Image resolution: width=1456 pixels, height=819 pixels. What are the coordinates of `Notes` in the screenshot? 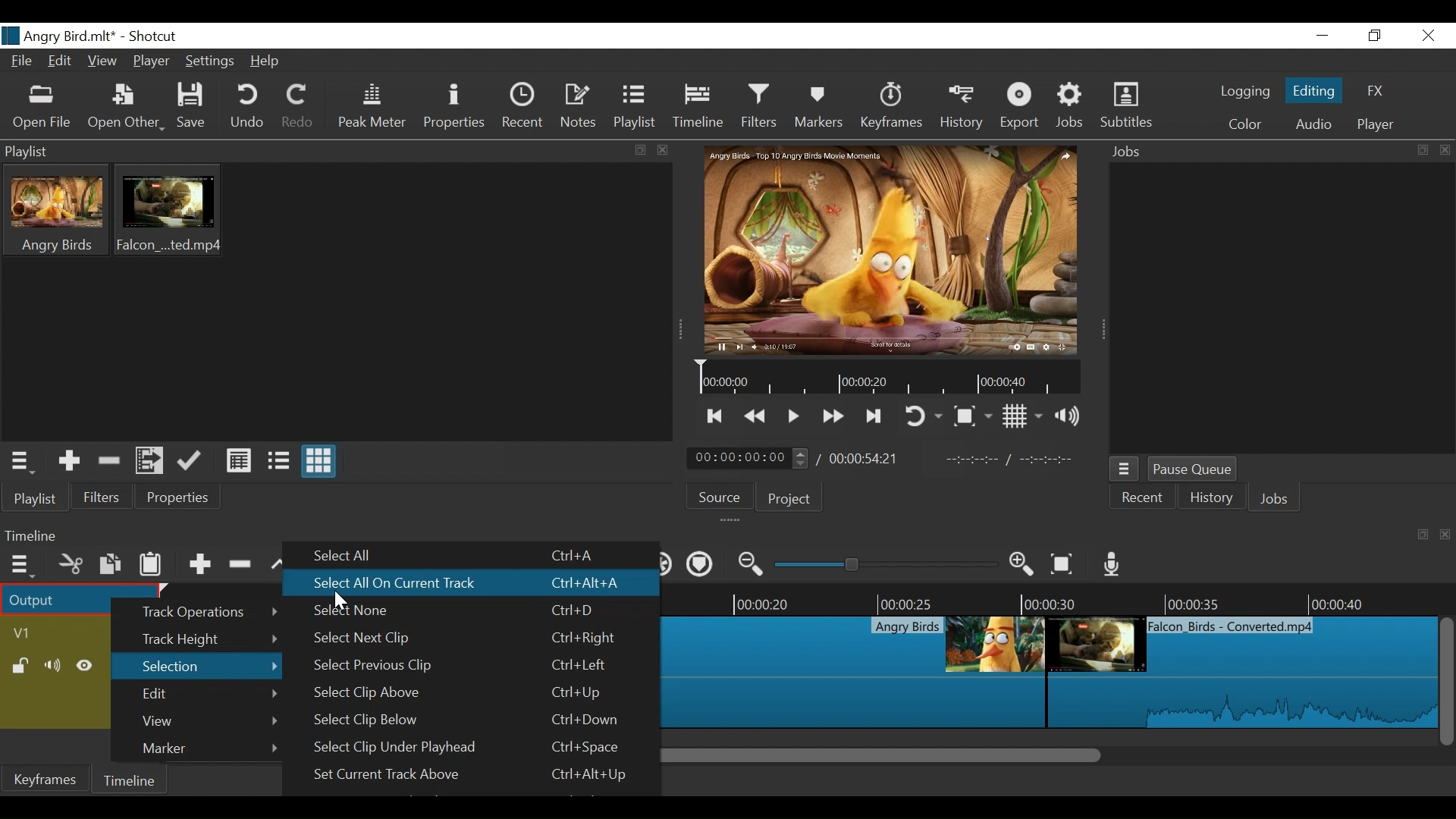 It's located at (580, 106).